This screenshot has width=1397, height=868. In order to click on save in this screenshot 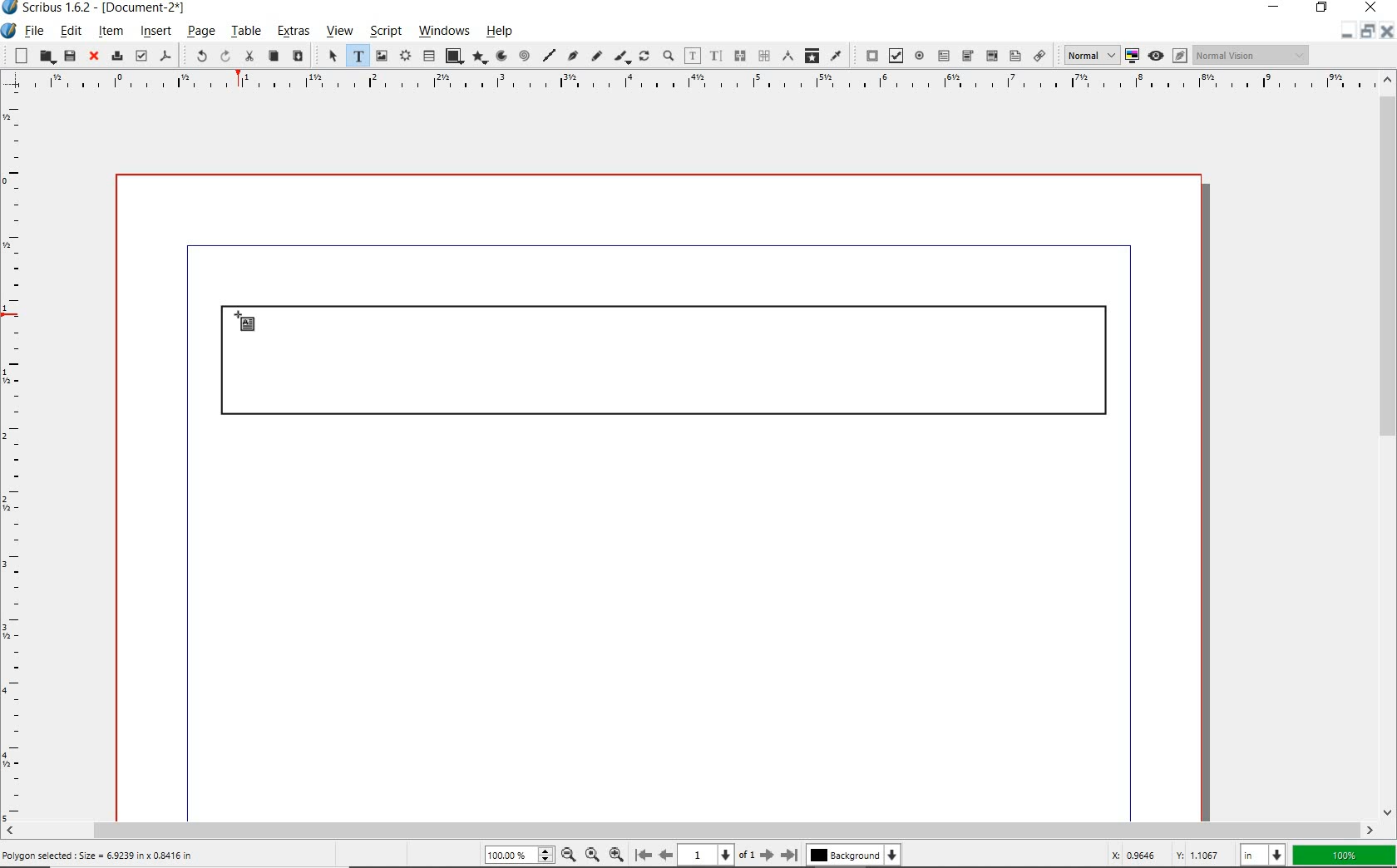, I will do `click(70, 56)`.